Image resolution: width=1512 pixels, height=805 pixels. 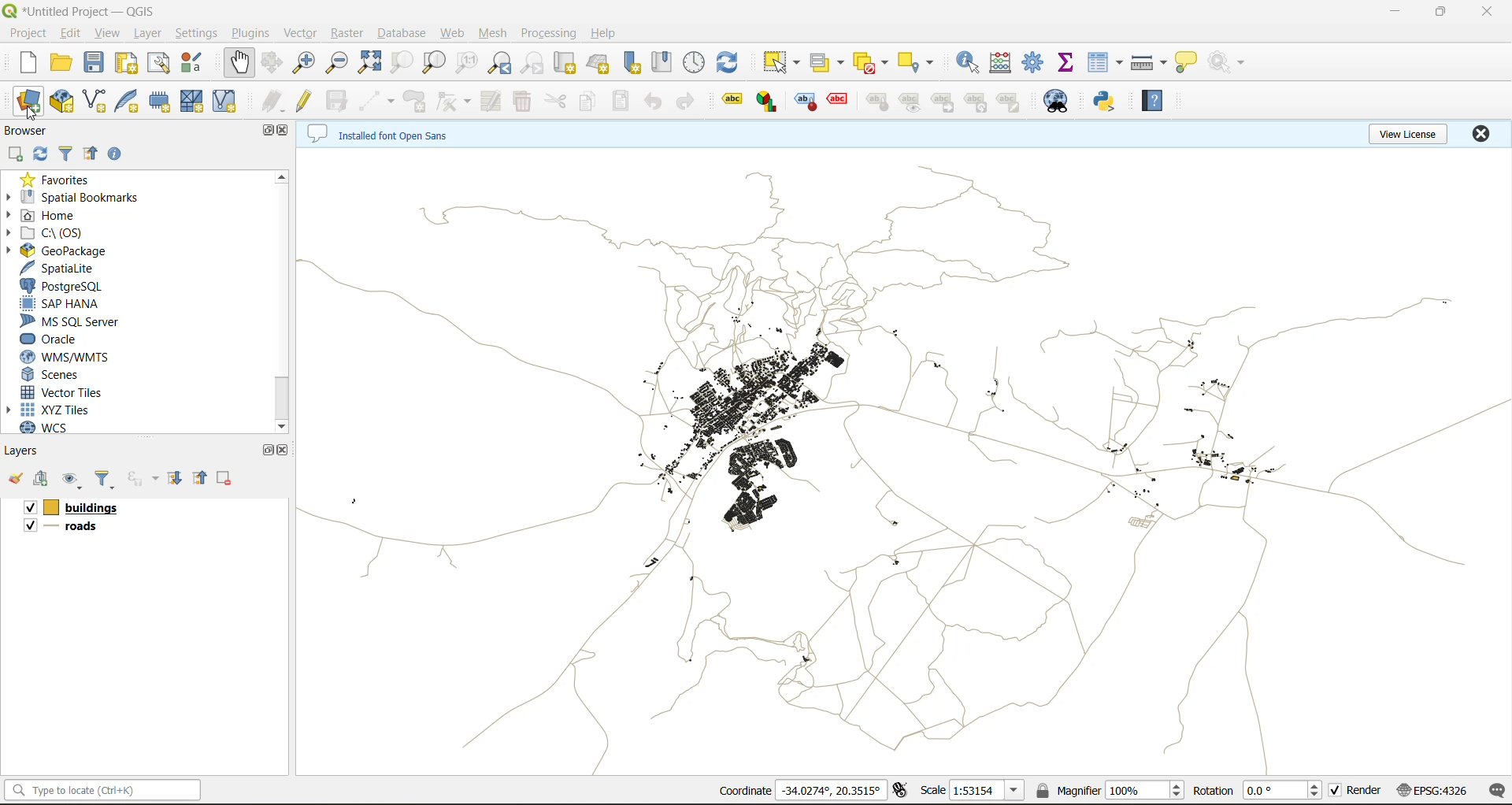 What do you see at coordinates (57, 250) in the screenshot?
I see `geopackage` at bounding box center [57, 250].